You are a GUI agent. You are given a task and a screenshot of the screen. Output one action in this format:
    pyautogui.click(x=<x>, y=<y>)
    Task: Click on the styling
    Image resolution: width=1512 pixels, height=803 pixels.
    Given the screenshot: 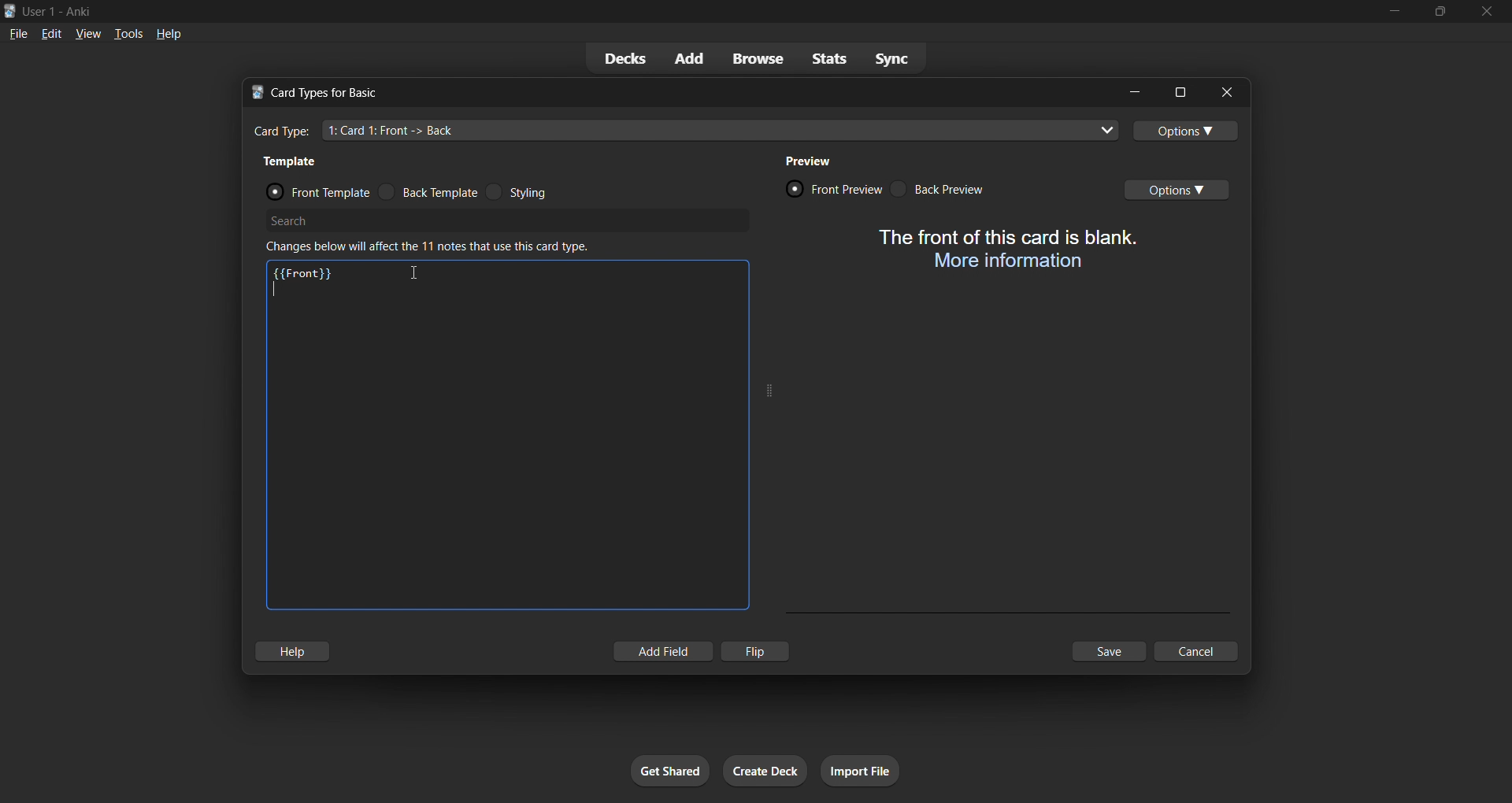 What is the action you would take?
    pyautogui.click(x=537, y=193)
    